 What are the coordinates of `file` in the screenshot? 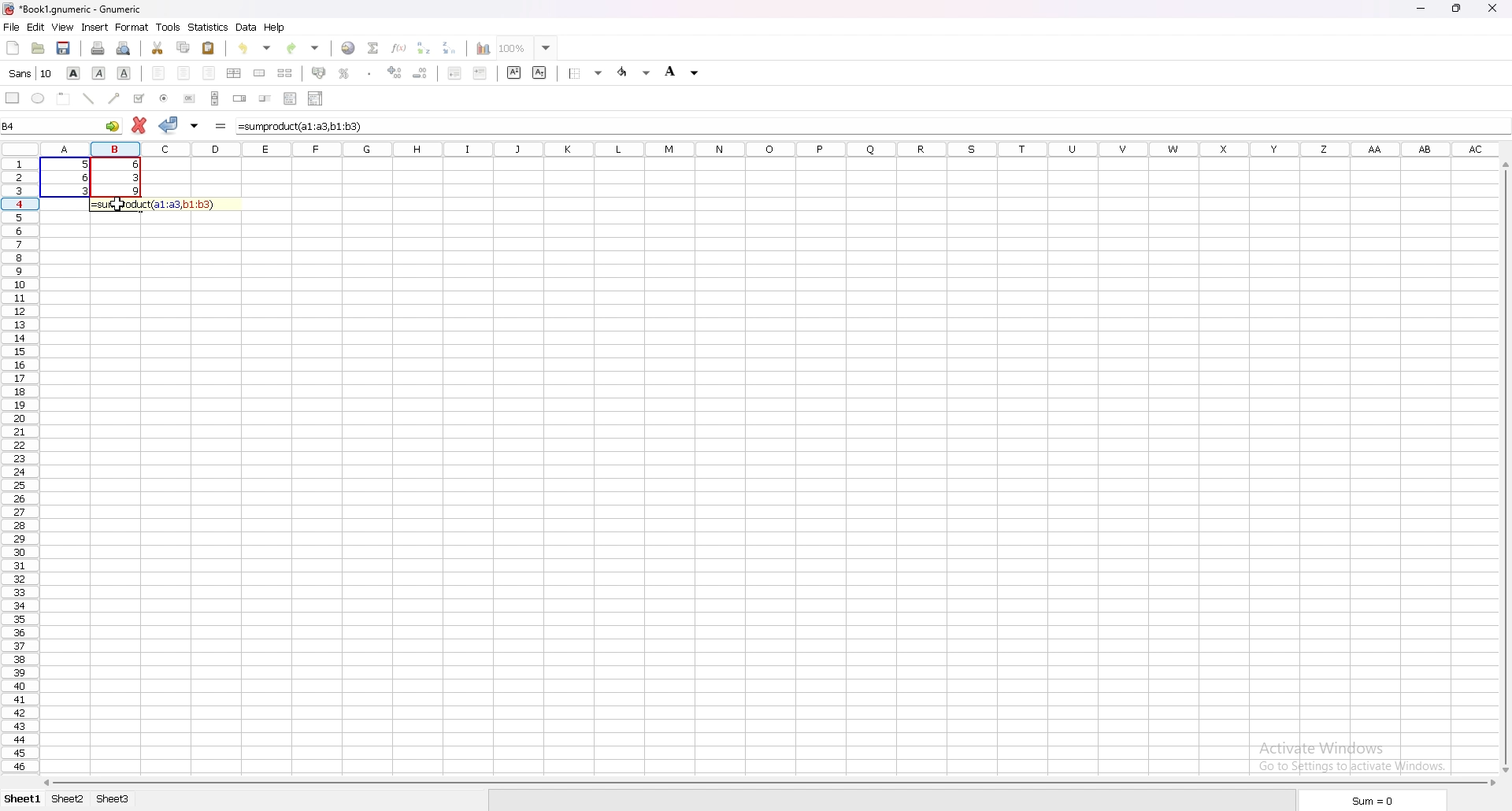 It's located at (12, 27).